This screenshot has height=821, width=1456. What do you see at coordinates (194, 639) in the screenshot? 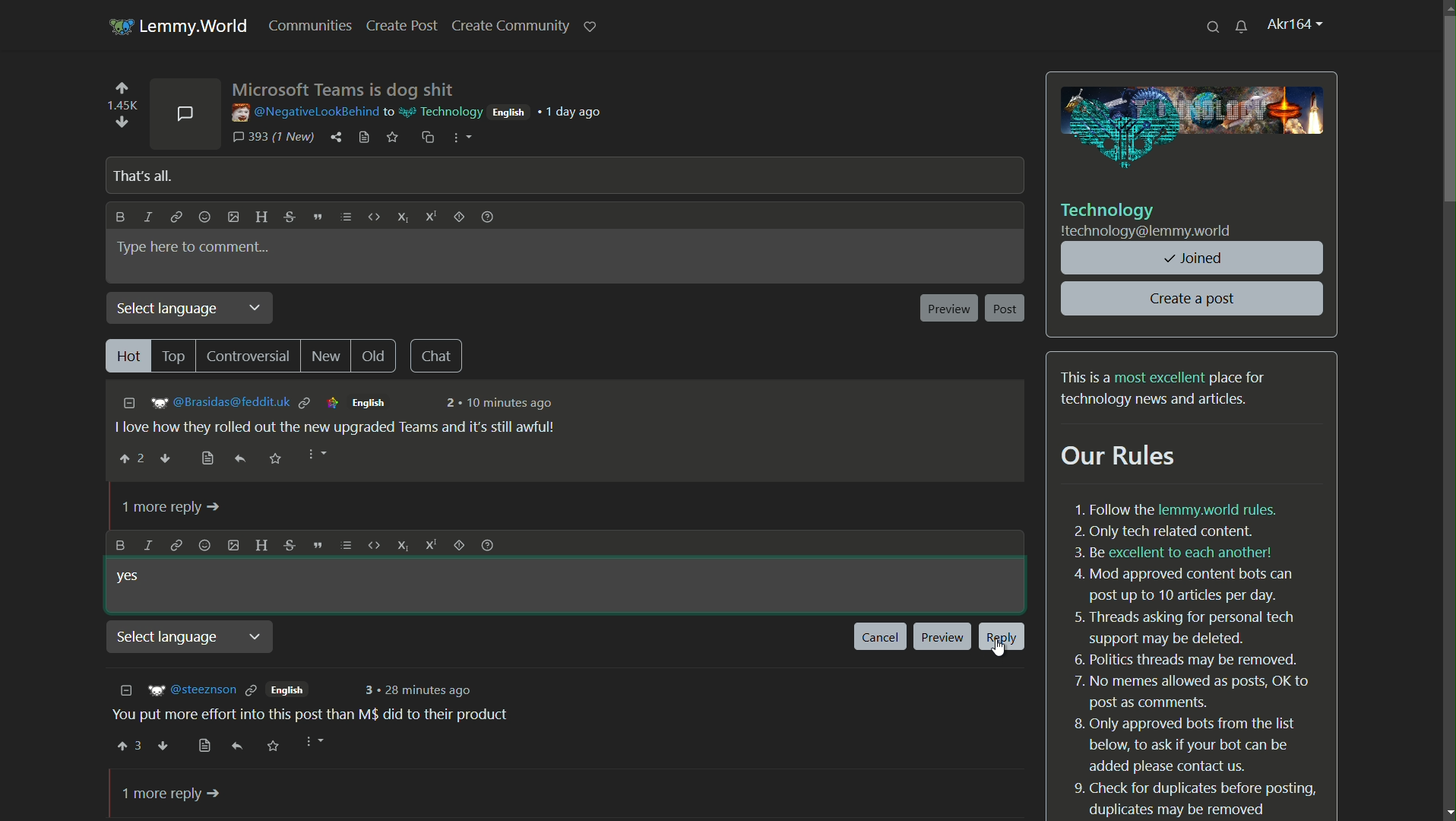
I see `select language dropdown` at bounding box center [194, 639].